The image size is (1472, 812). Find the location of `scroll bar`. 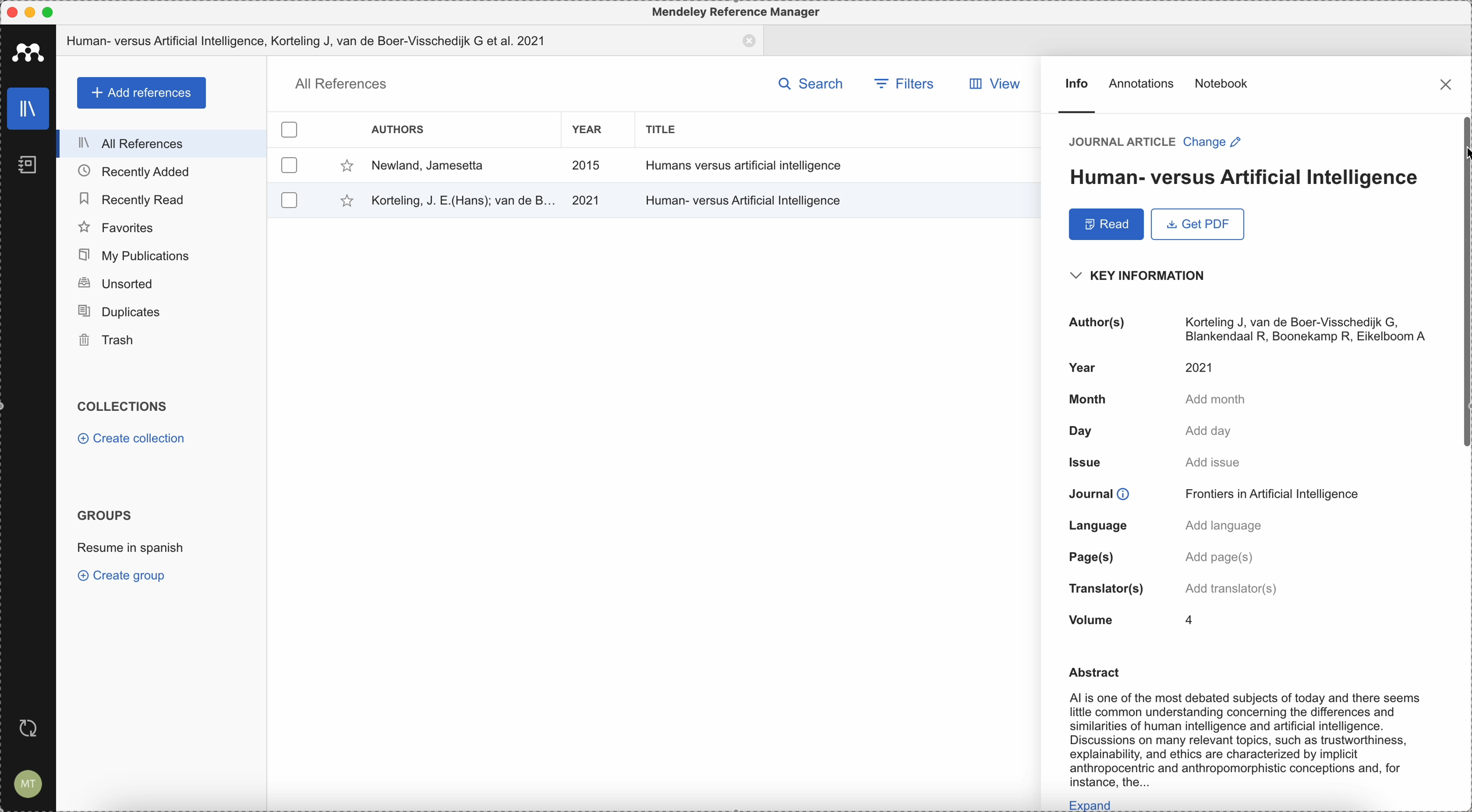

scroll bar is located at coordinates (1463, 282).